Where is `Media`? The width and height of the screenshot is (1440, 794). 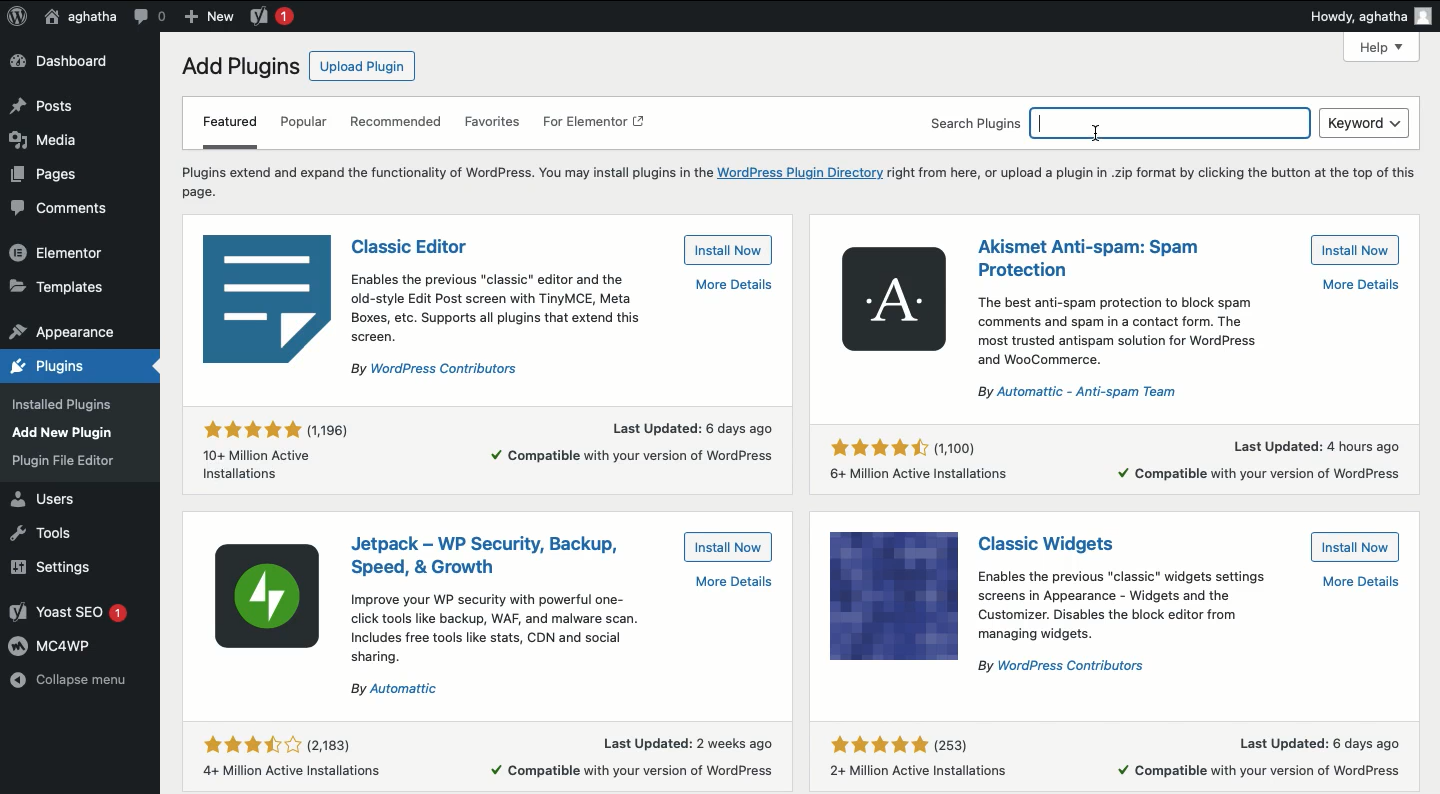 Media is located at coordinates (45, 137).